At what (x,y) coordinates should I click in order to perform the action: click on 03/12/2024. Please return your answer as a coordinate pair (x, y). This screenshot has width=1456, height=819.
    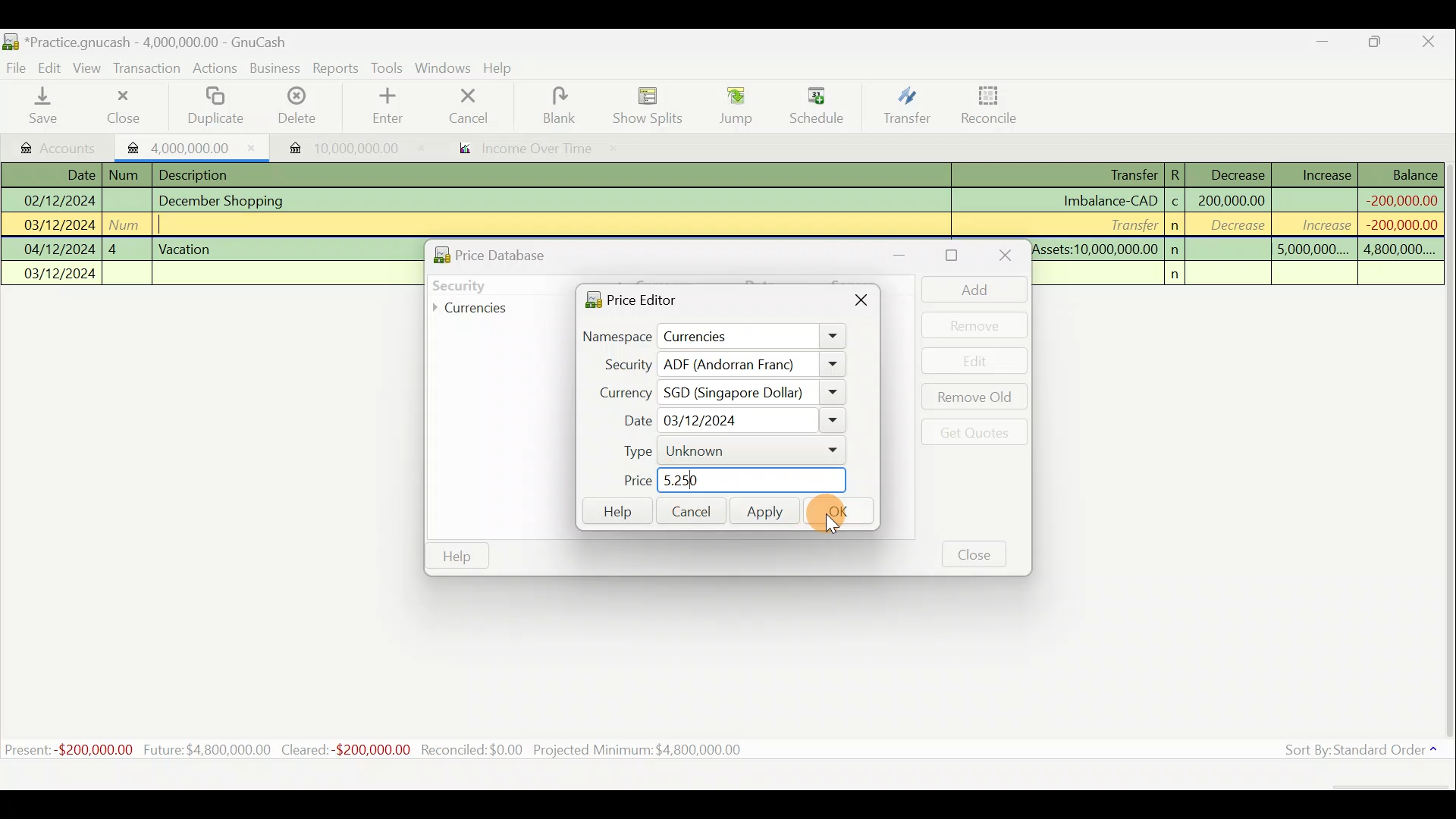
    Looking at the image, I should click on (61, 275).